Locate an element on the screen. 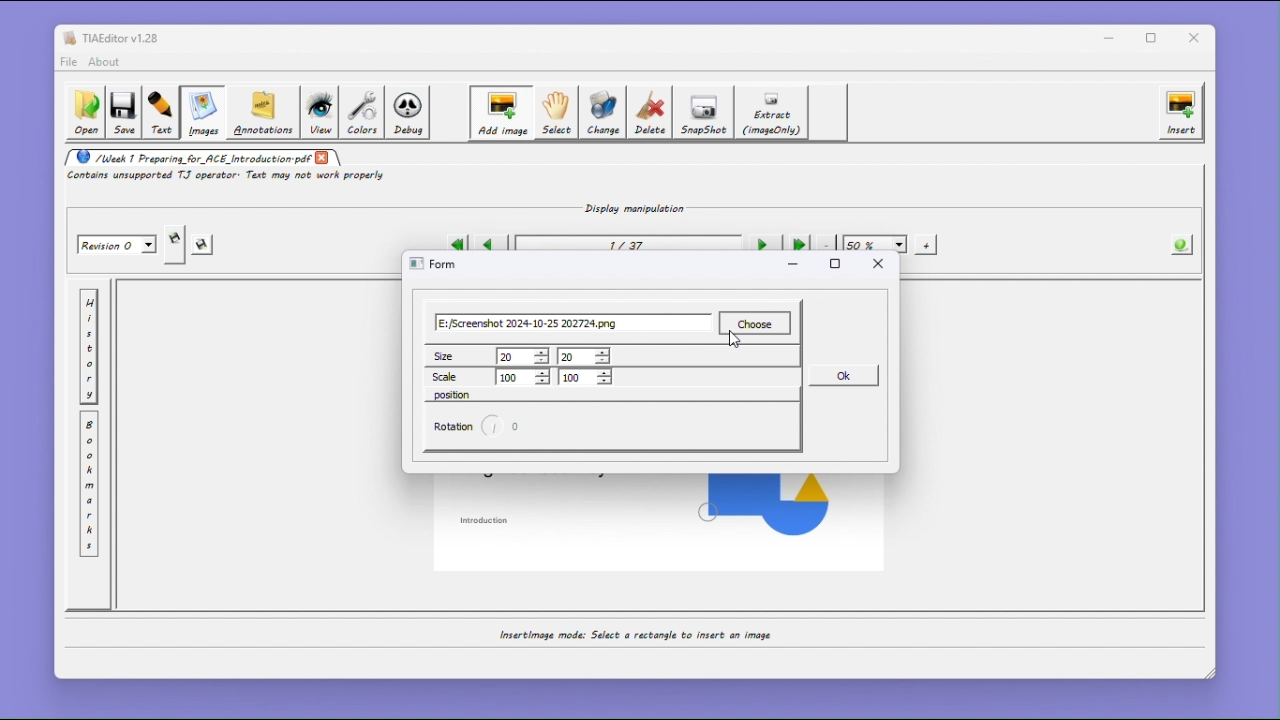 Image resolution: width=1280 pixels, height=720 pixels. First page is located at coordinates (456, 245).